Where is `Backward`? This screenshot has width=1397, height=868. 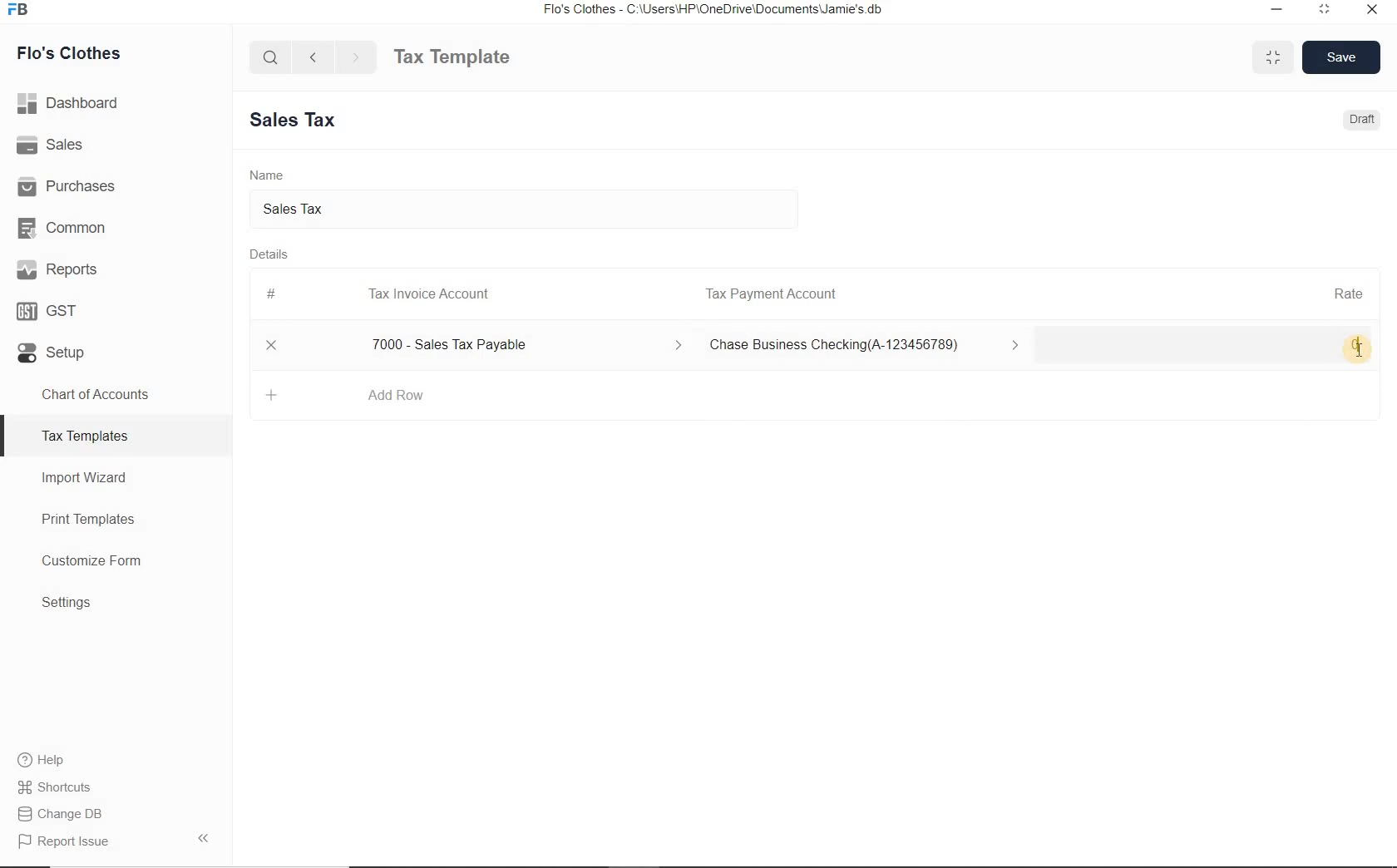 Backward is located at coordinates (313, 56).